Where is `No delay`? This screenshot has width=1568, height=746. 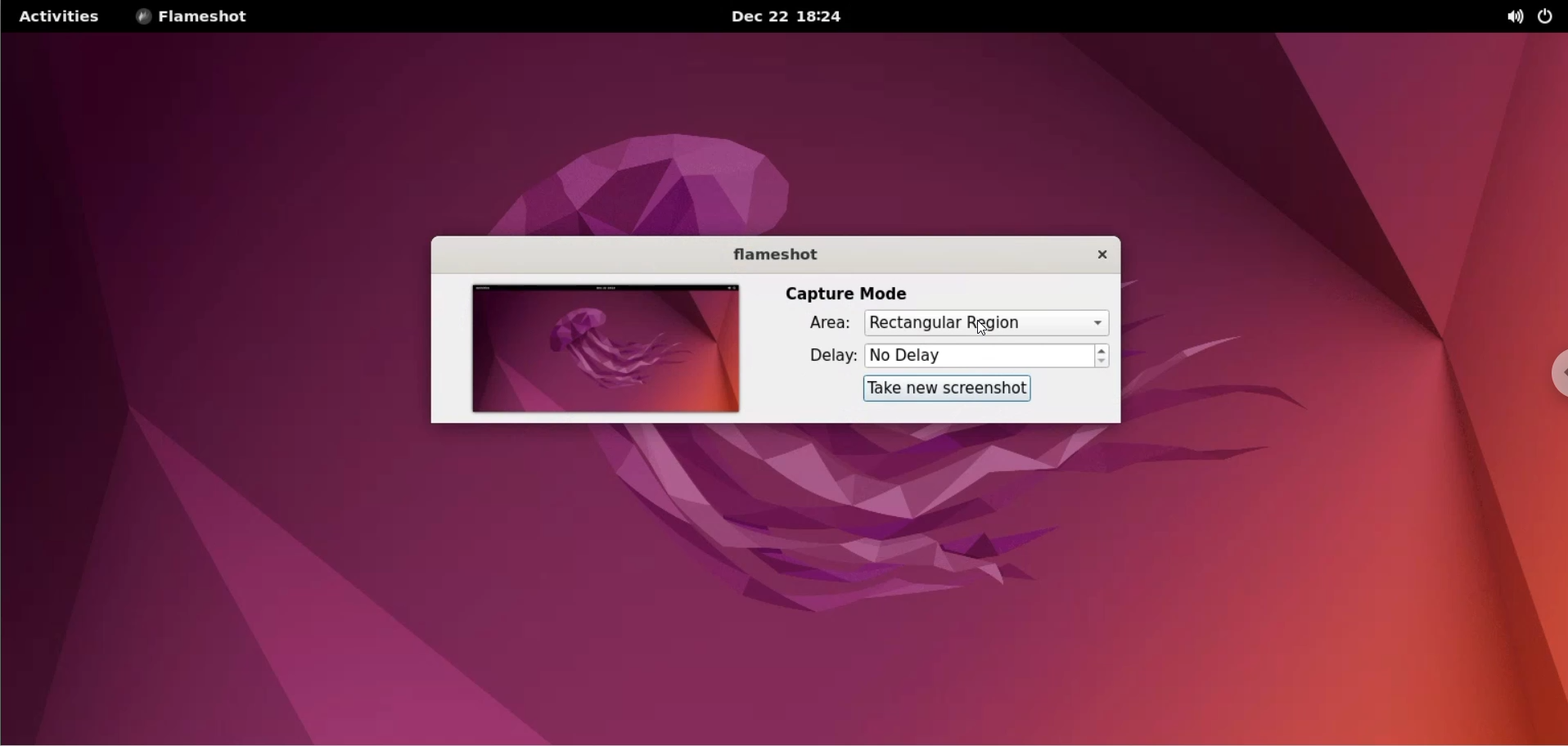
No delay is located at coordinates (983, 356).